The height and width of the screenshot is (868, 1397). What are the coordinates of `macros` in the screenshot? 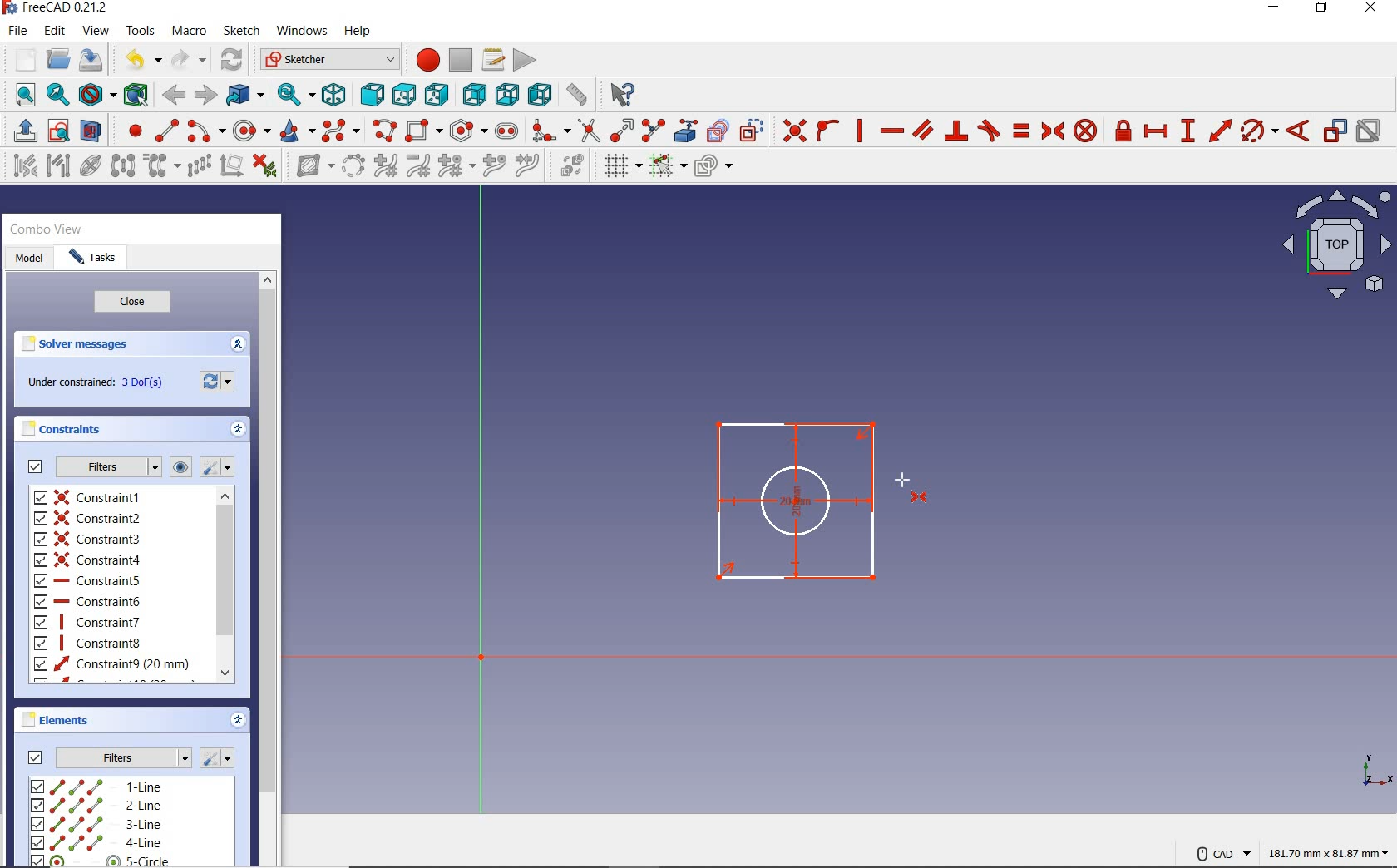 It's located at (495, 60).